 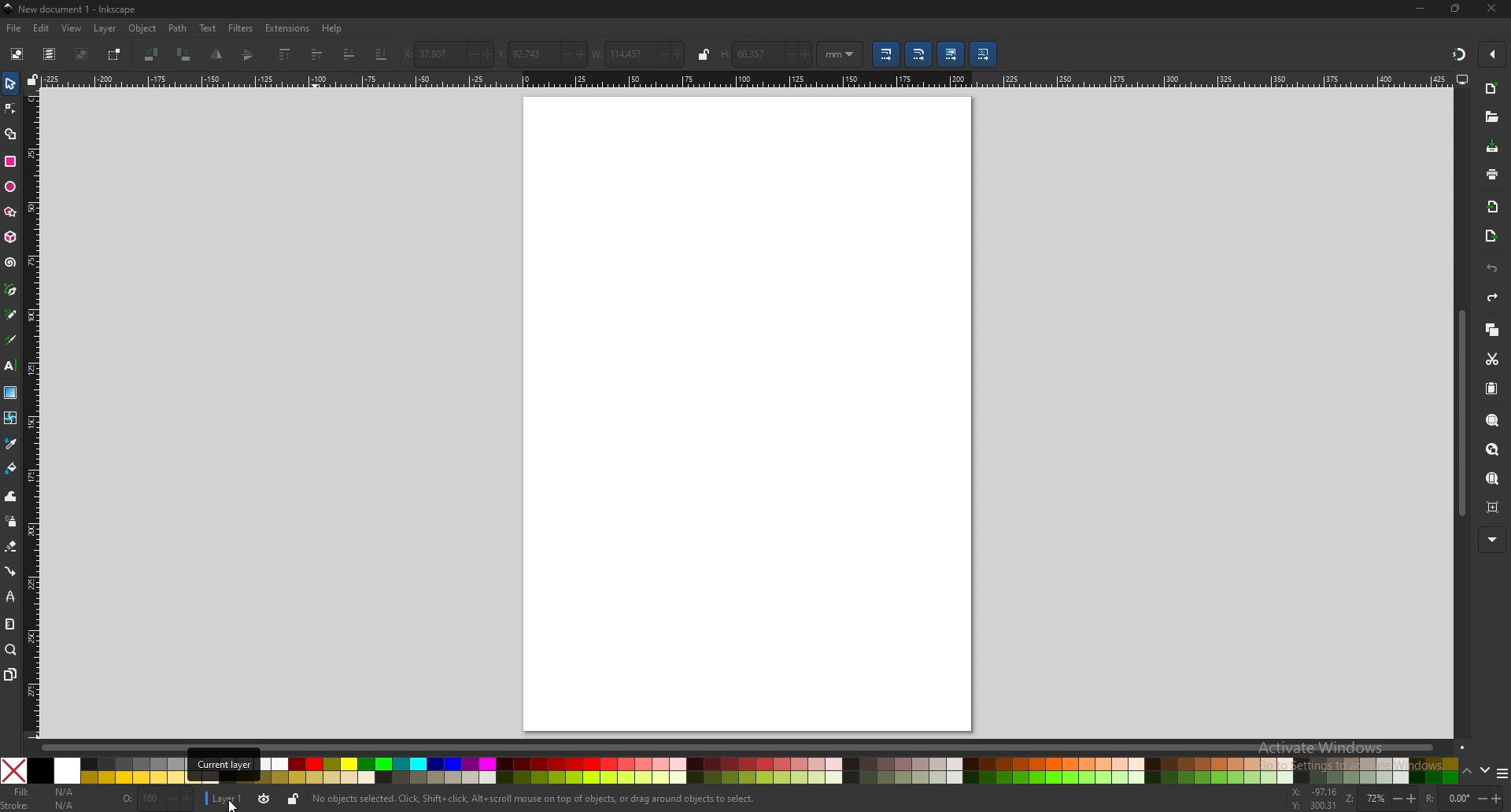 I want to click on move gradient, so click(x=951, y=54).